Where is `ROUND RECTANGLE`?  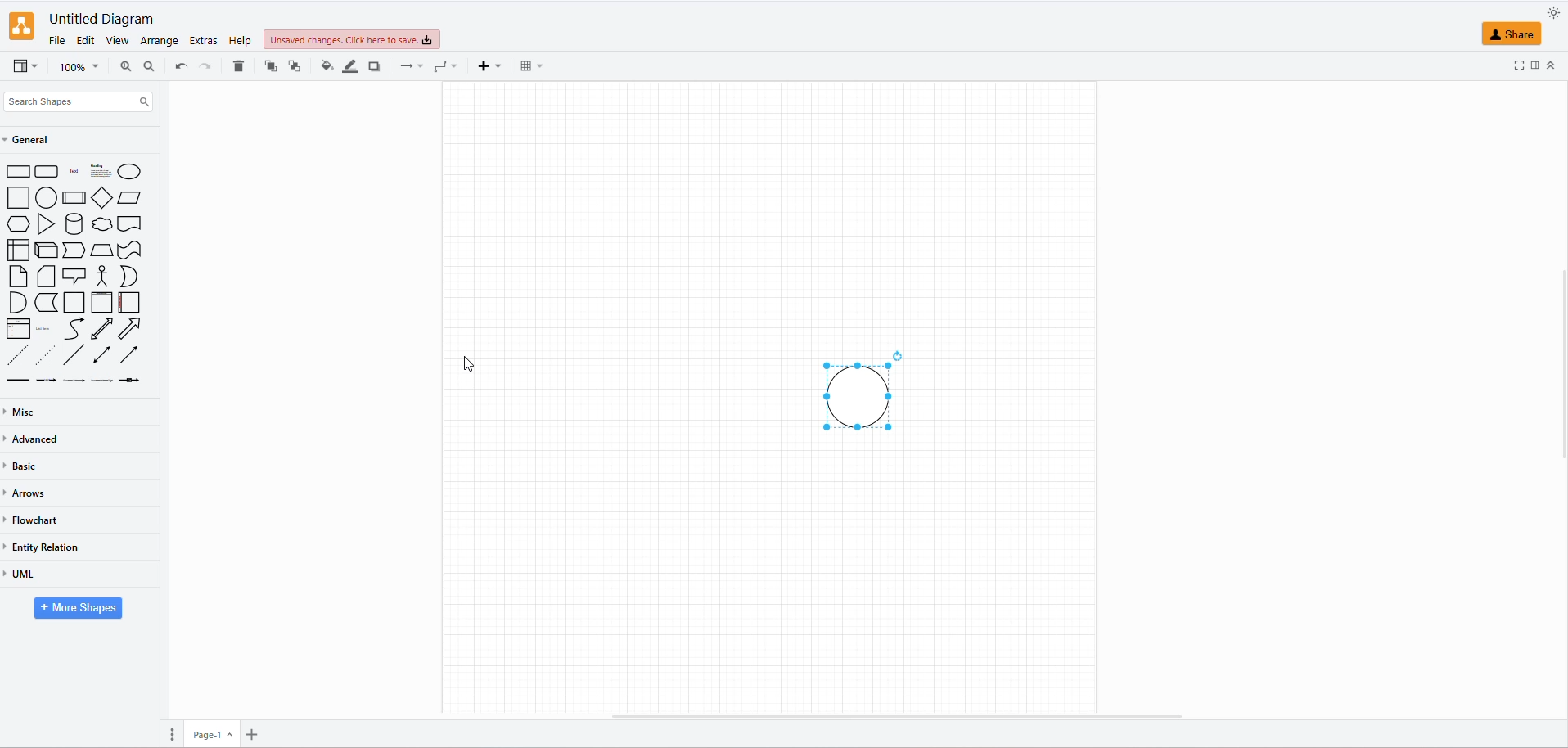
ROUND RECTANGLE is located at coordinates (45, 169).